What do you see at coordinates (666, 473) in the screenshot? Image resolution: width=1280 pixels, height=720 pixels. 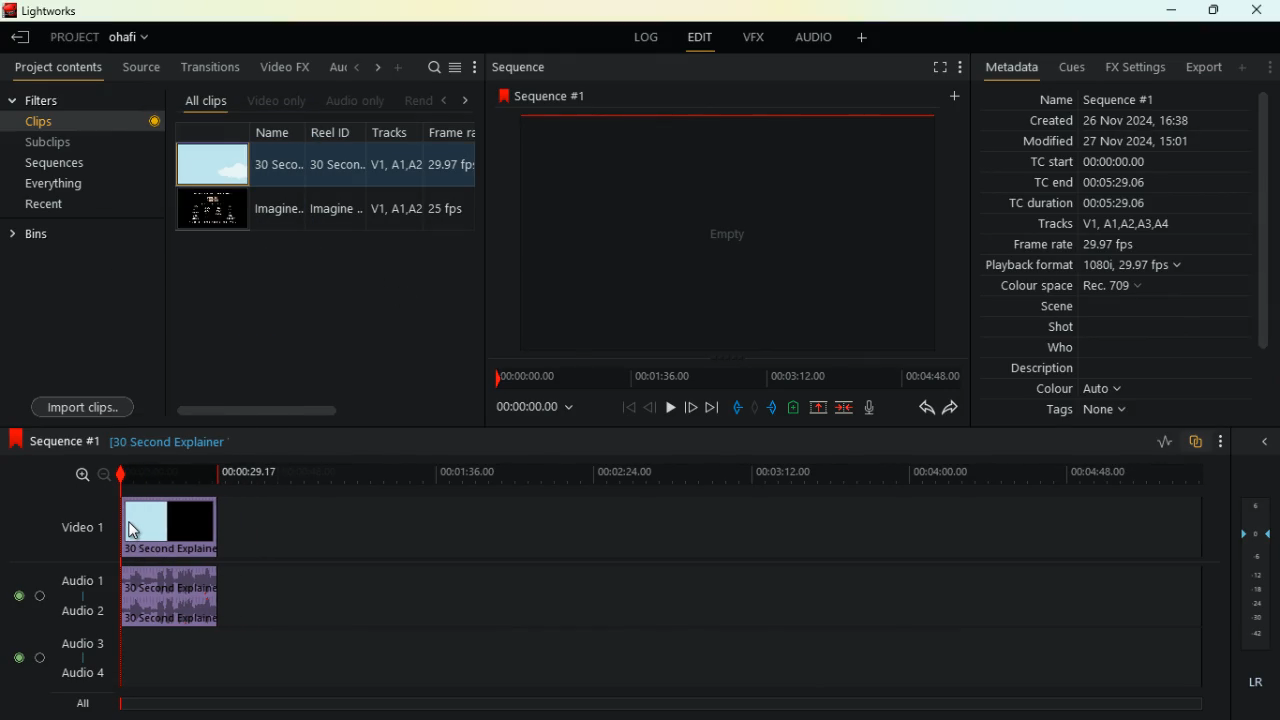 I see `timeline` at bounding box center [666, 473].